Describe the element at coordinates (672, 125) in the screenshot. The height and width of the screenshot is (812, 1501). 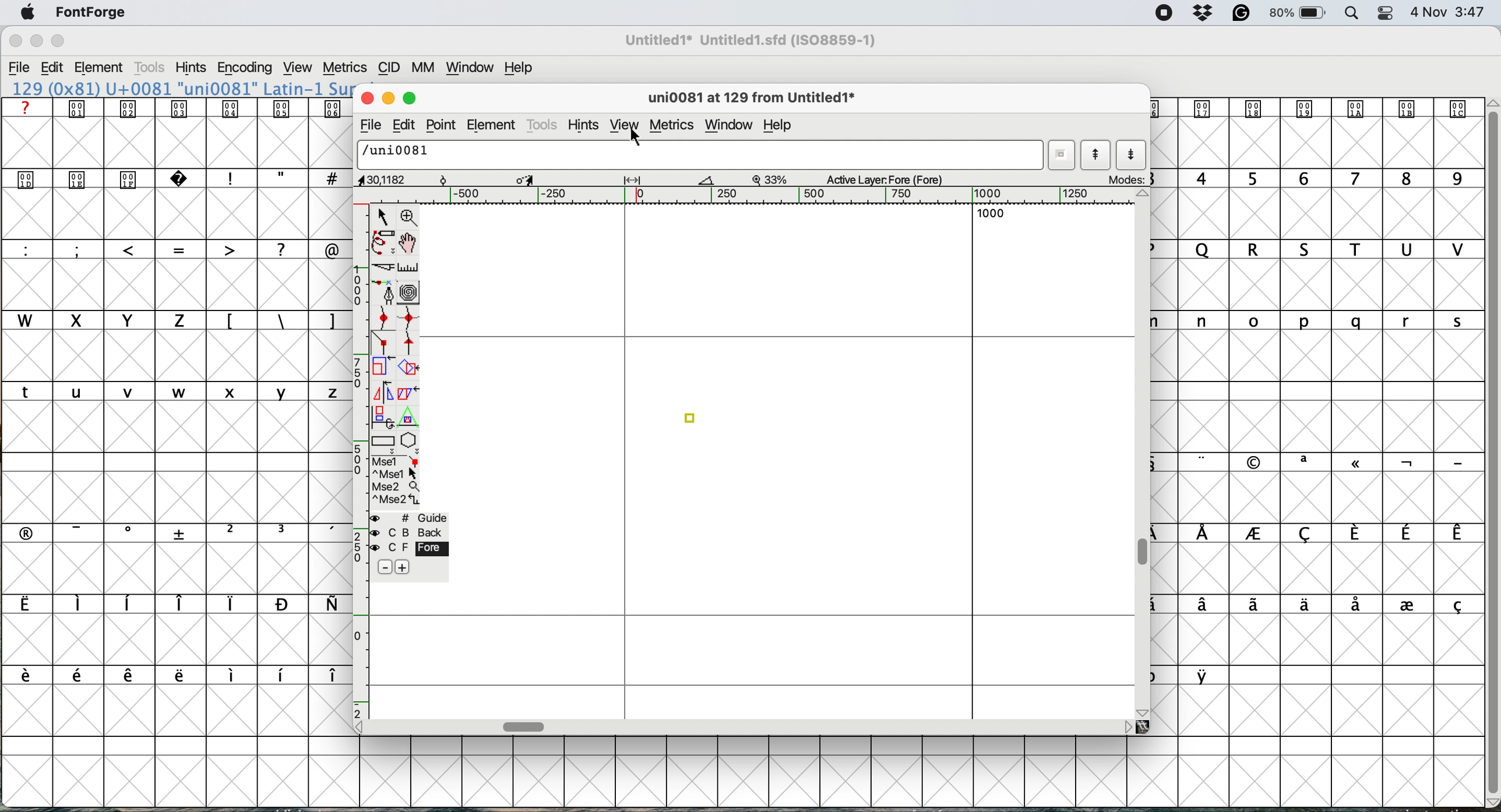
I see `metrics` at that location.